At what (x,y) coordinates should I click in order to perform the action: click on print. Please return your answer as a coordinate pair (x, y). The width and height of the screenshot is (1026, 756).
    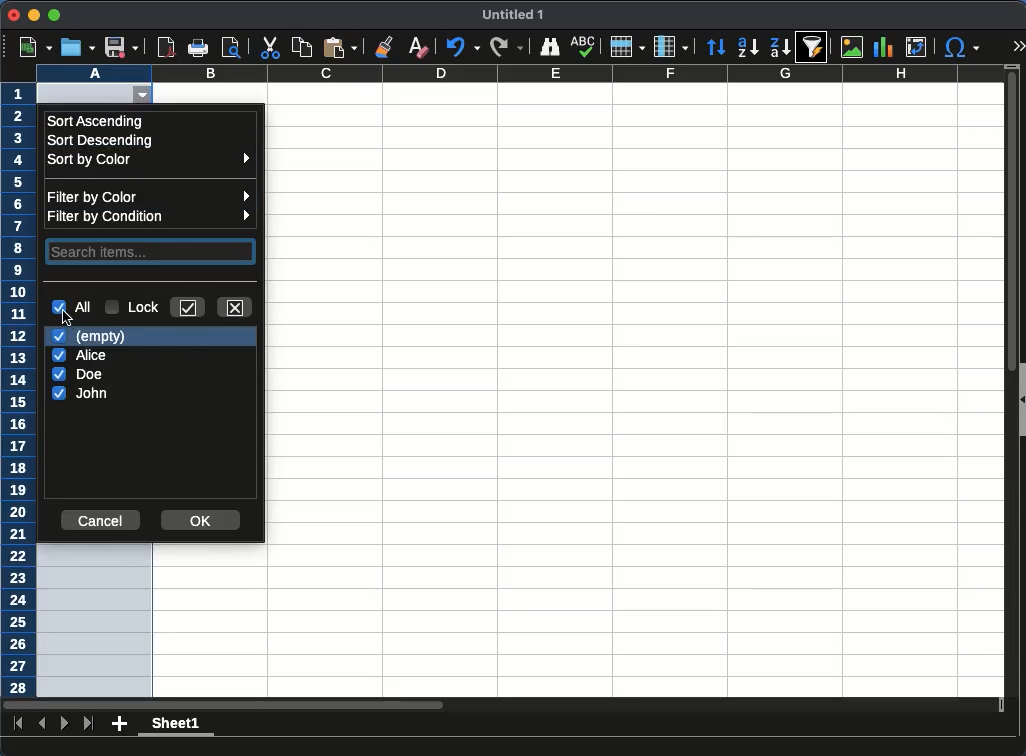
    Looking at the image, I should click on (198, 48).